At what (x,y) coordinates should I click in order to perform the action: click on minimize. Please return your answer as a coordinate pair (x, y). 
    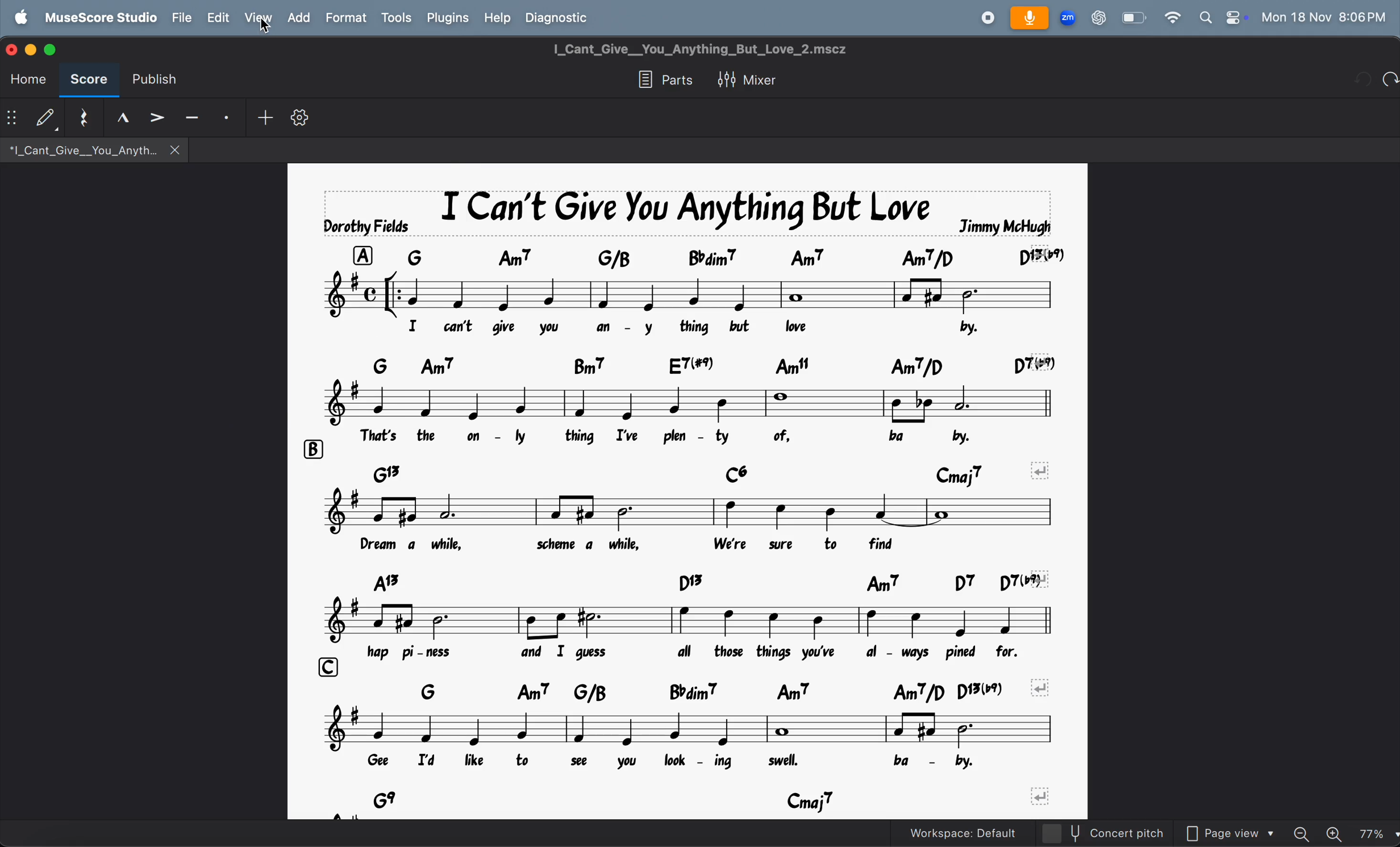
    Looking at the image, I should click on (33, 49).